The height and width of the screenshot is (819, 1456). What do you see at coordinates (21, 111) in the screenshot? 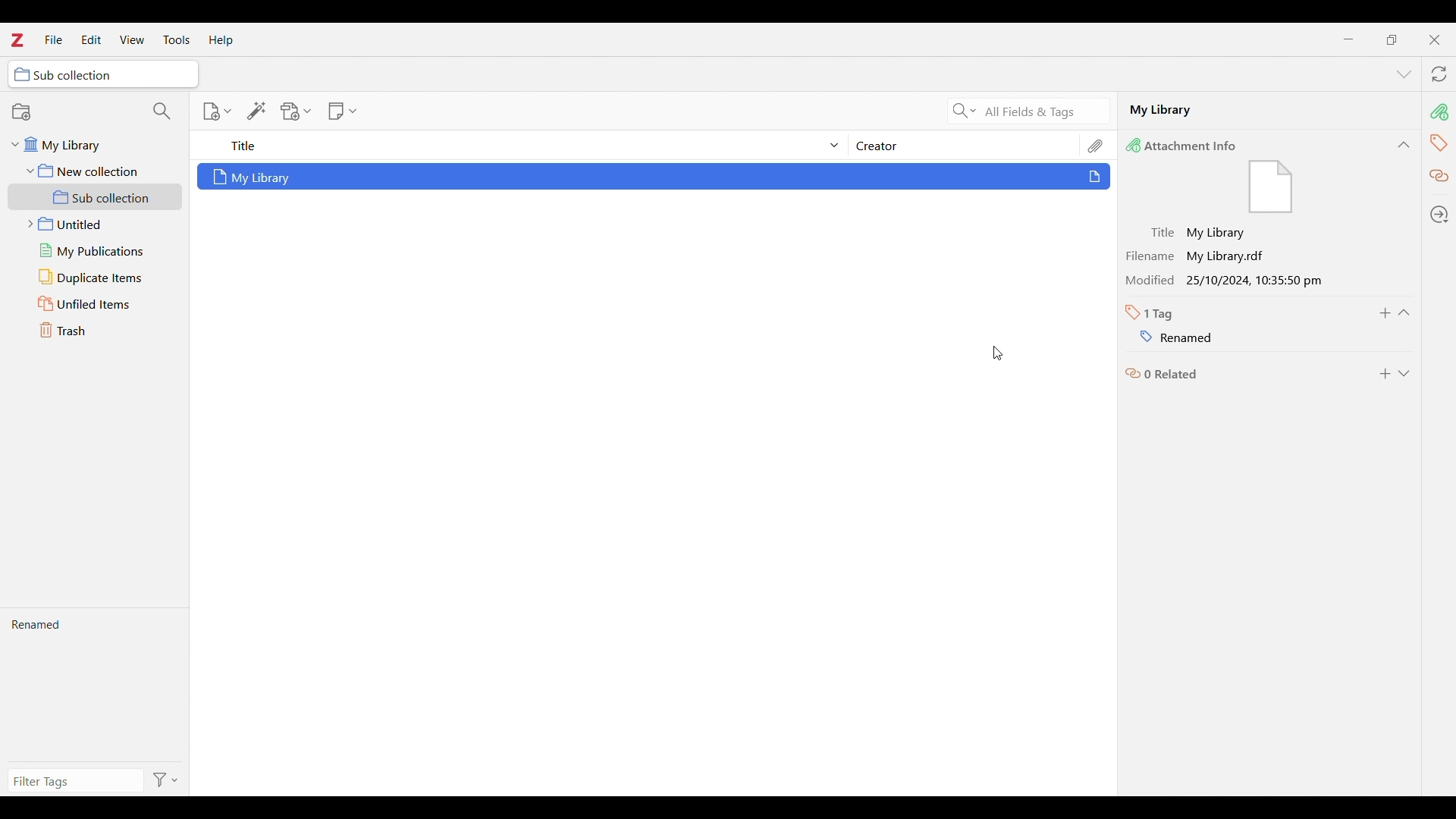
I see `New collection` at bounding box center [21, 111].